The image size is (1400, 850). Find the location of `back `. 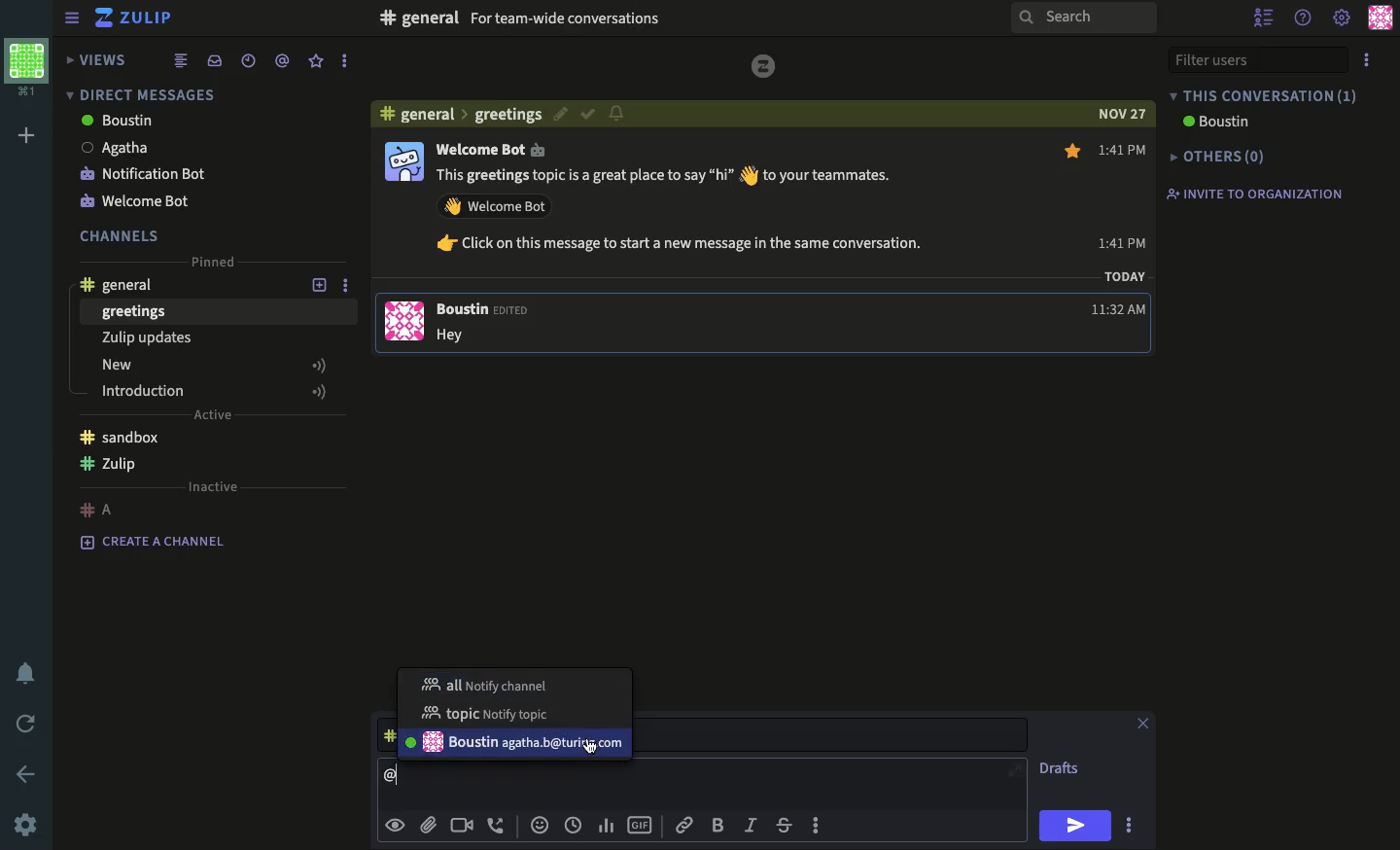

back  is located at coordinates (28, 775).